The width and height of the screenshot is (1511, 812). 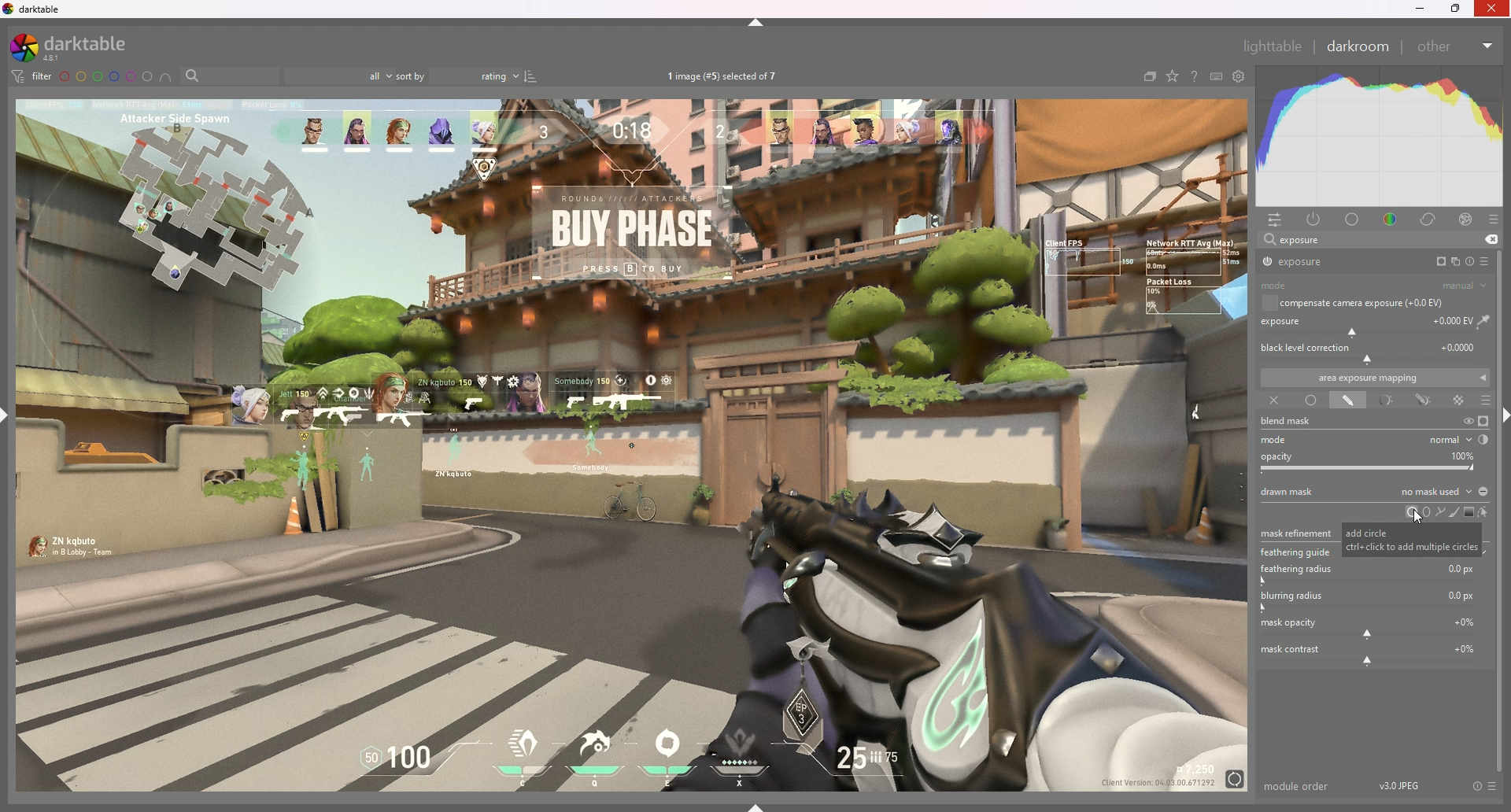 What do you see at coordinates (1300, 531) in the screenshot?
I see `mask refinement` at bounding box center [1300, 531].